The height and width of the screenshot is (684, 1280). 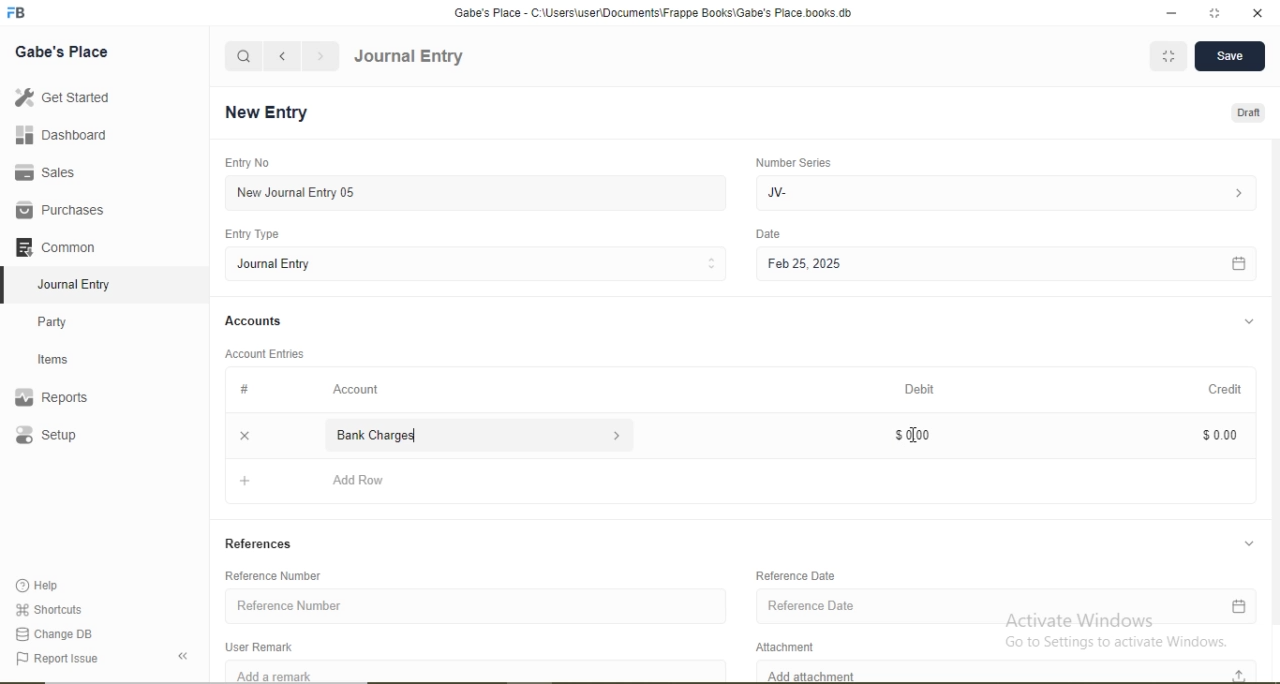 What do you see at coordinates (1005, 265) in the screenshot?
I see `Feb 25, 2025` at bounding box center [1005, 265].